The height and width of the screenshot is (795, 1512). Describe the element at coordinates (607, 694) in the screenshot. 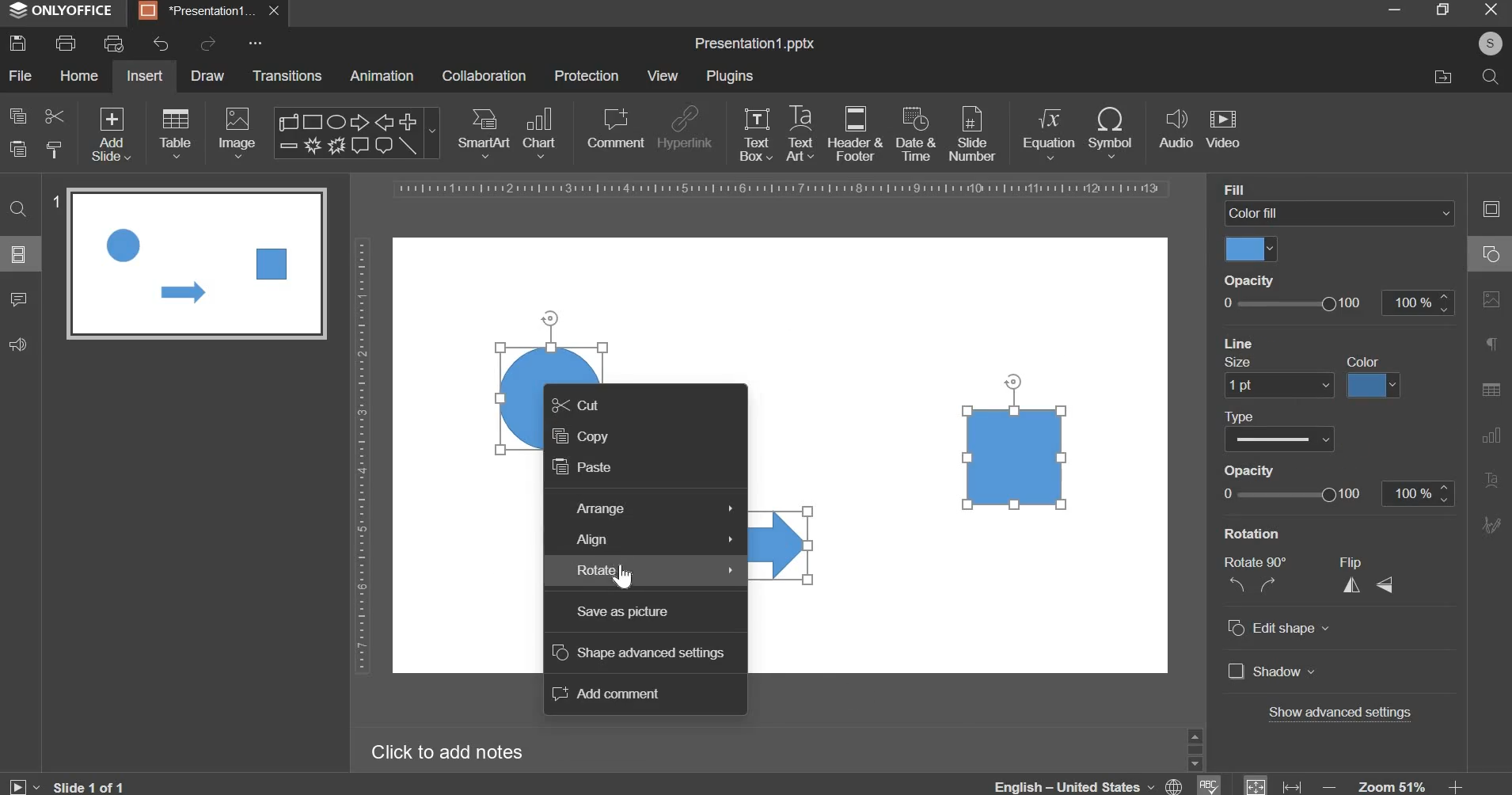

I see `add comment` at that location.